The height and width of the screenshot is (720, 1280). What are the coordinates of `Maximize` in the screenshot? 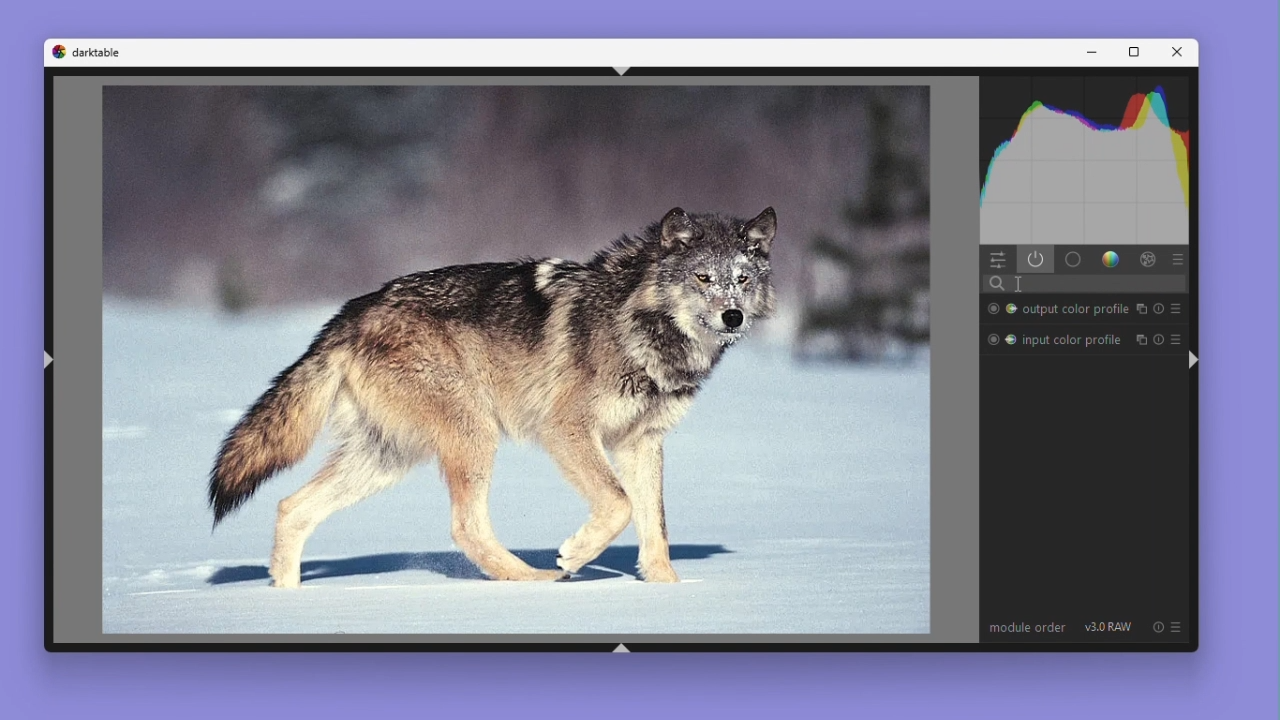 It's located at (1135, 52).